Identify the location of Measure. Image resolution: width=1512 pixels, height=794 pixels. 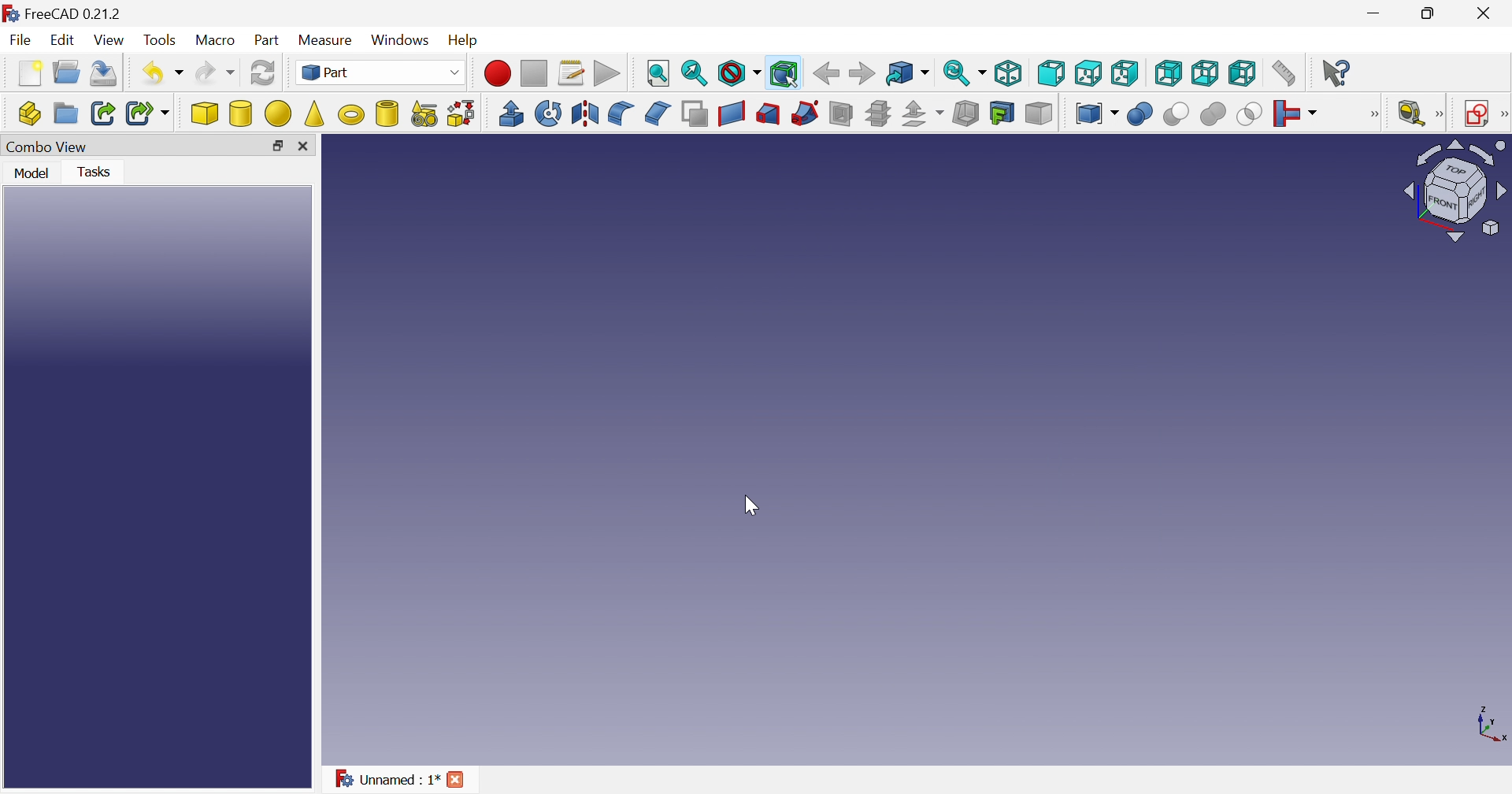
(328, 39).